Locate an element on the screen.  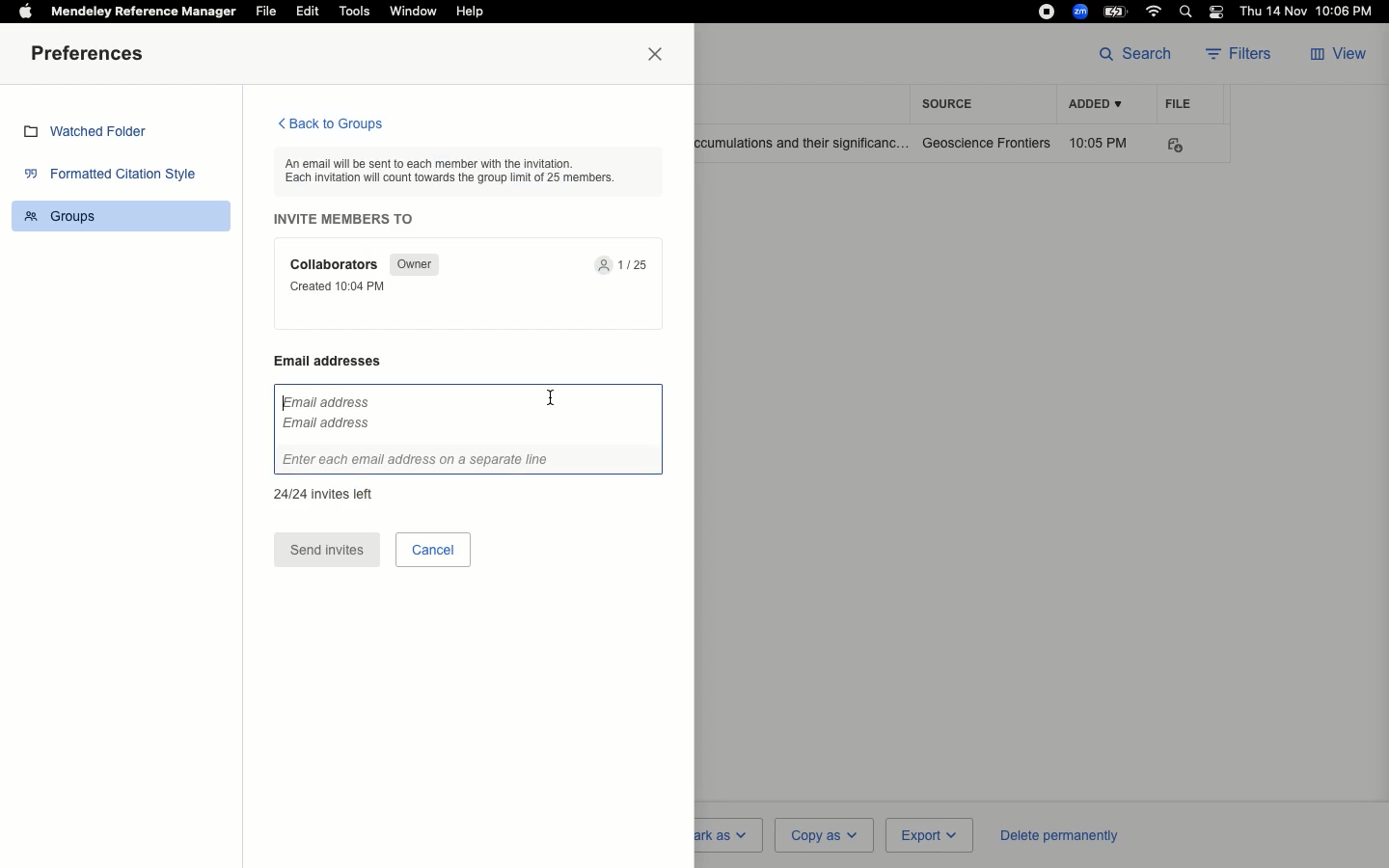
Search is located at coordinates (1188, 14).